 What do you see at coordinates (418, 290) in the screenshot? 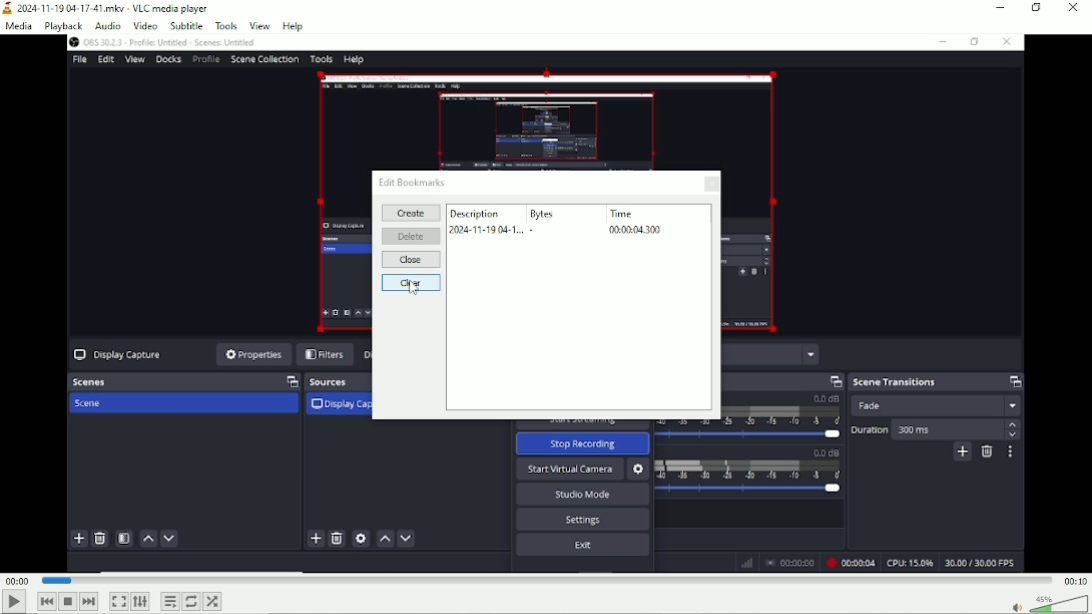
I see `Mouse Cursor` at bounding box center [418, 290].